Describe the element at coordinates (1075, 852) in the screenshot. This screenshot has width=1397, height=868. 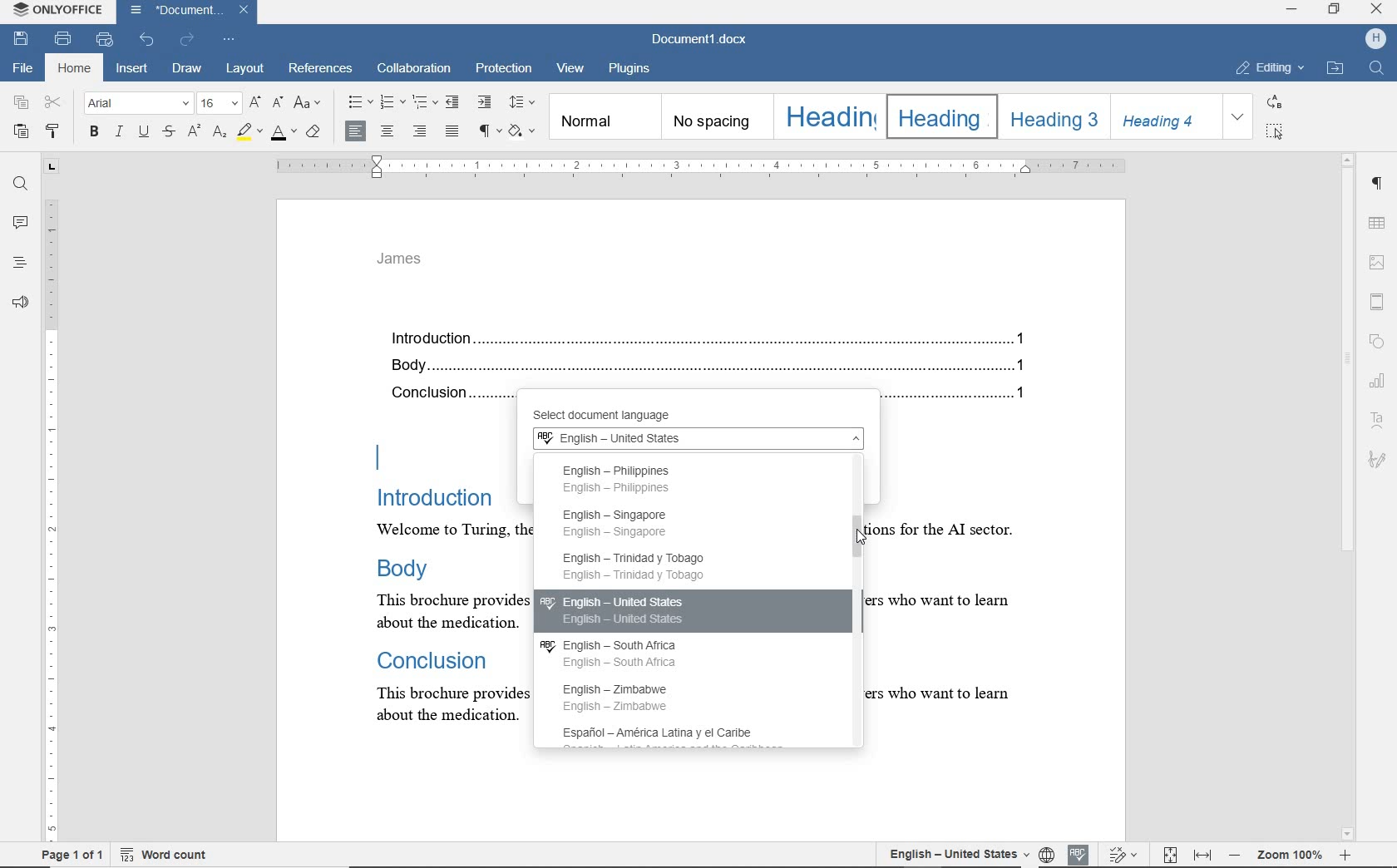
I see `spell check` at that location.